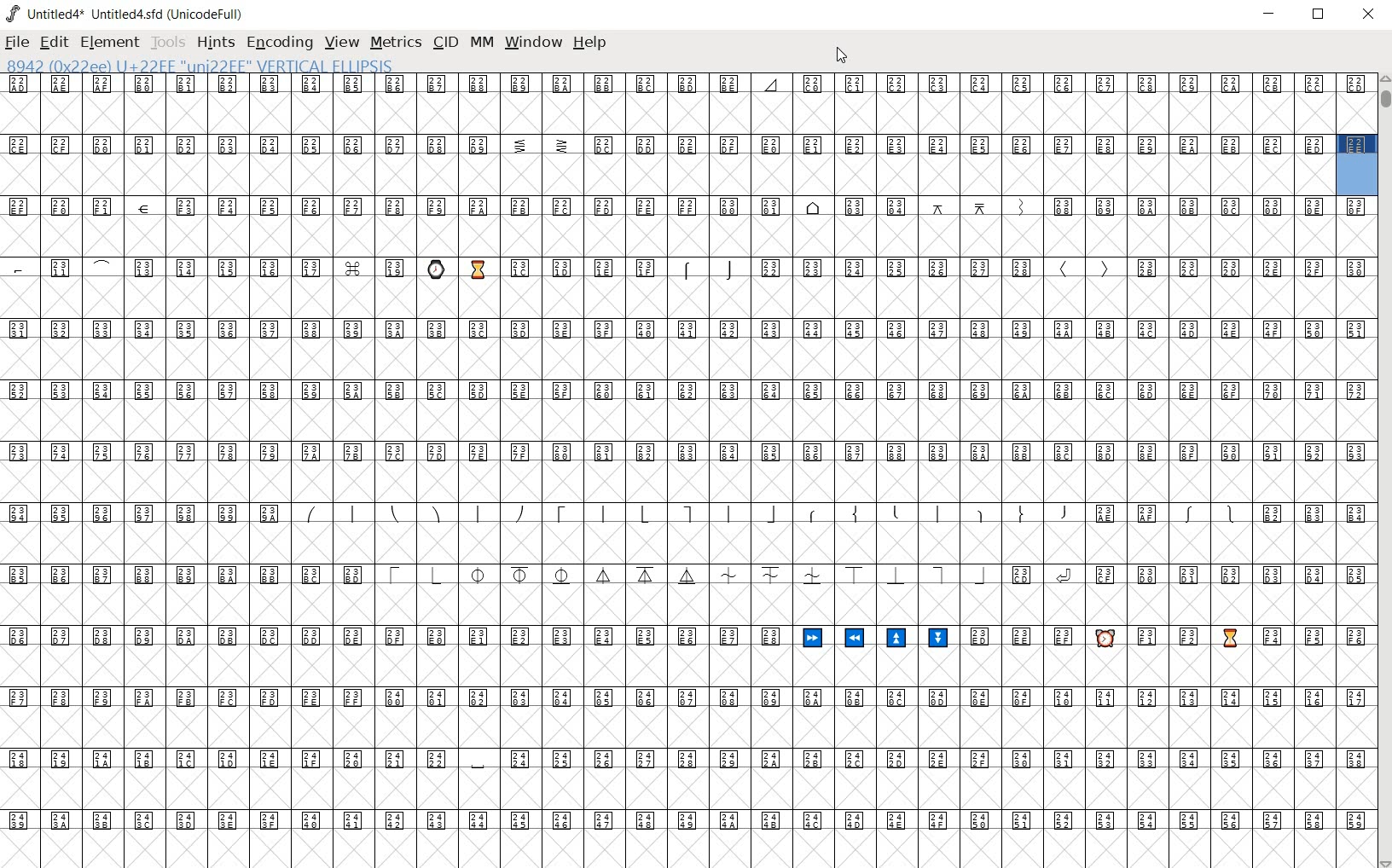  I want to click on CID, so click(444, 42).